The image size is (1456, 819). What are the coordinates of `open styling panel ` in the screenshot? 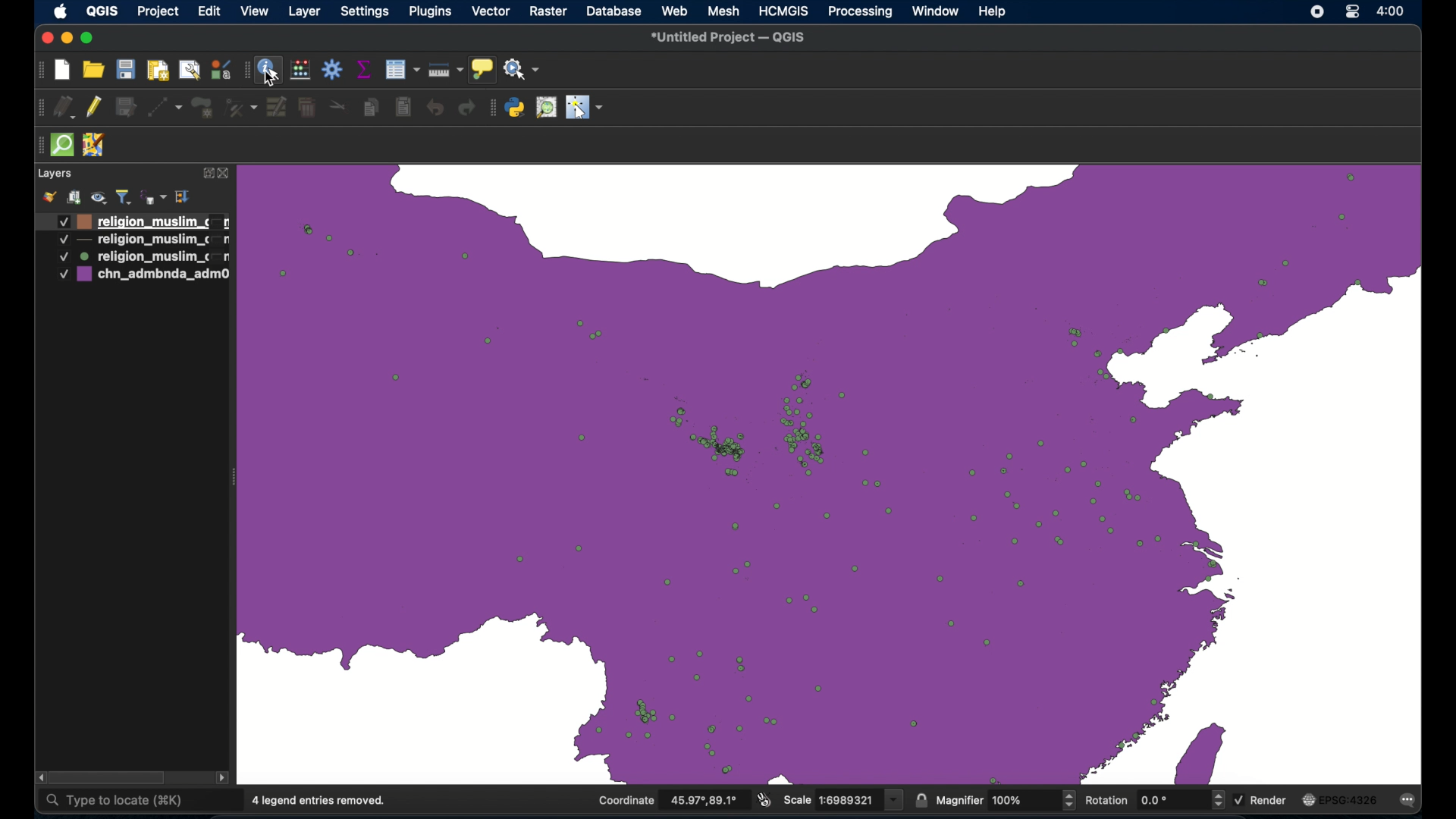 It's located at (49, 196).